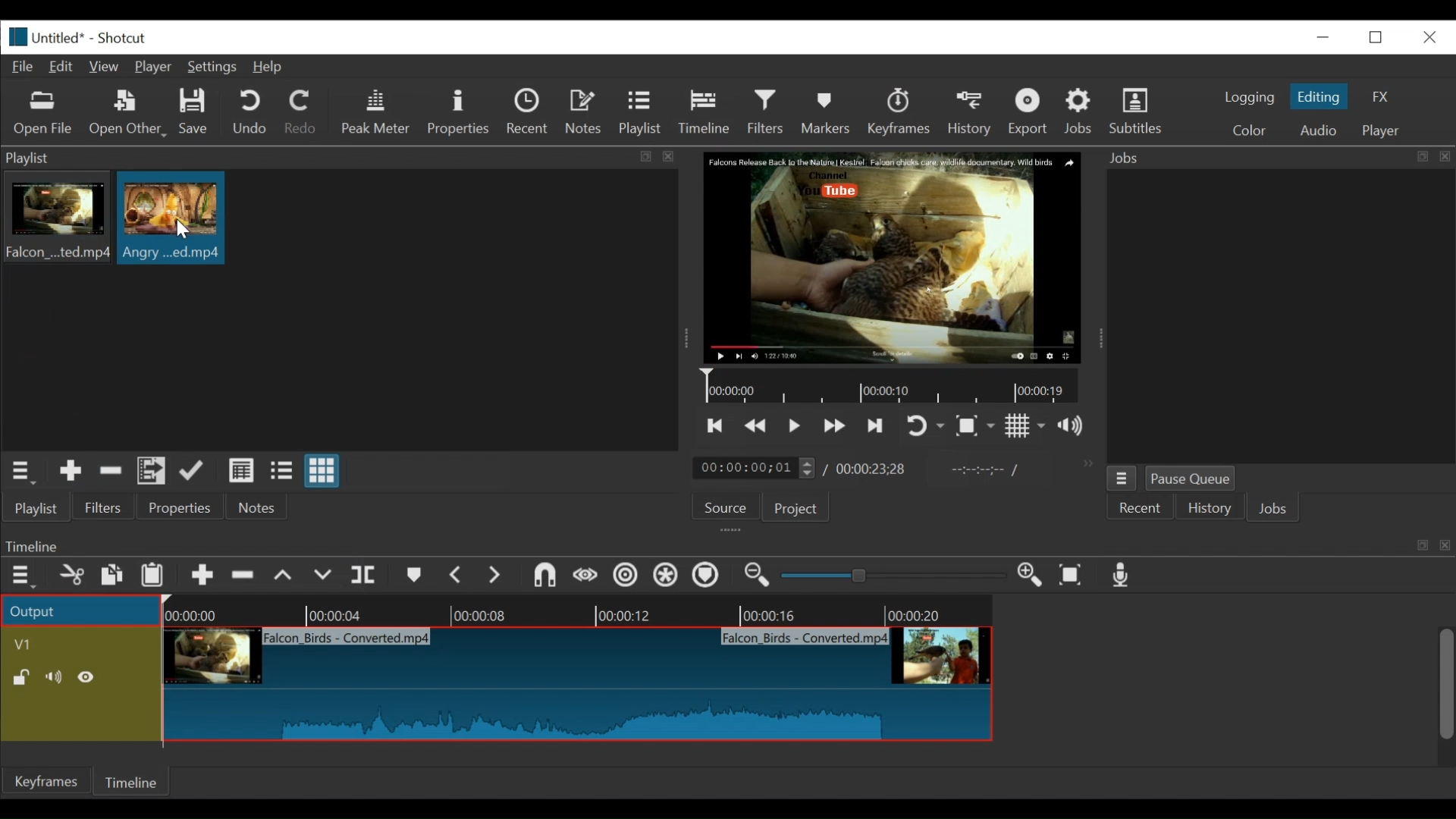  Describe the element at coordinates (194, 114) in the screenshot. I see `Save` at that location.